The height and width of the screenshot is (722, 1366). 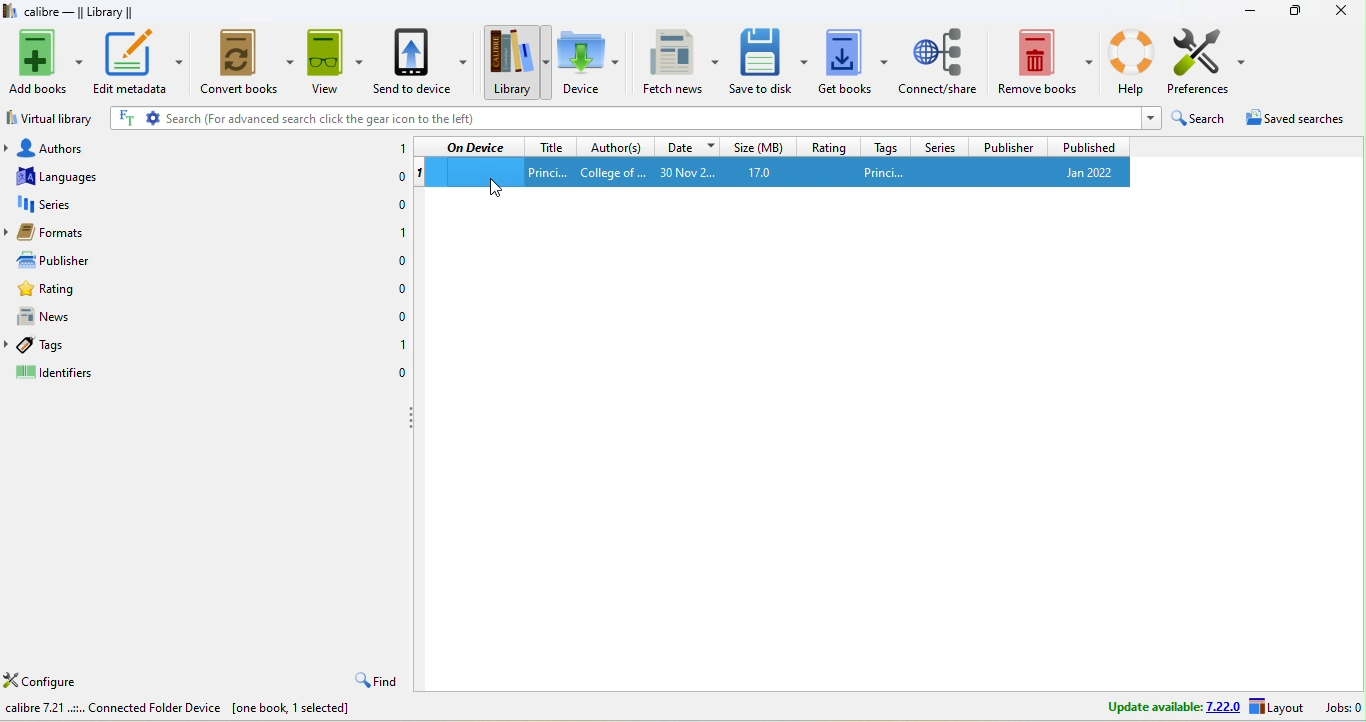 What do you see at coordinates (401, 374) in the screenshot?
I see `0` at bounding box center [401, 374].